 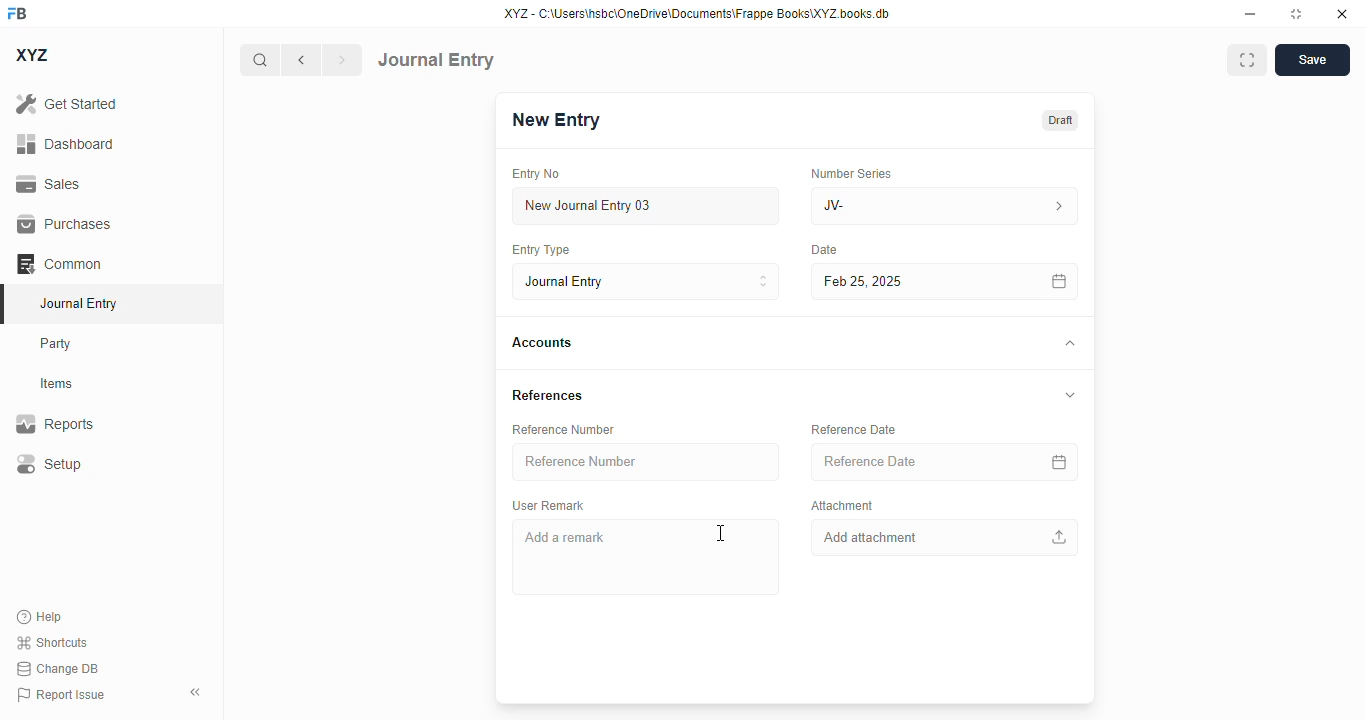 I want to click on dashboard, so click(x=66, y=144).